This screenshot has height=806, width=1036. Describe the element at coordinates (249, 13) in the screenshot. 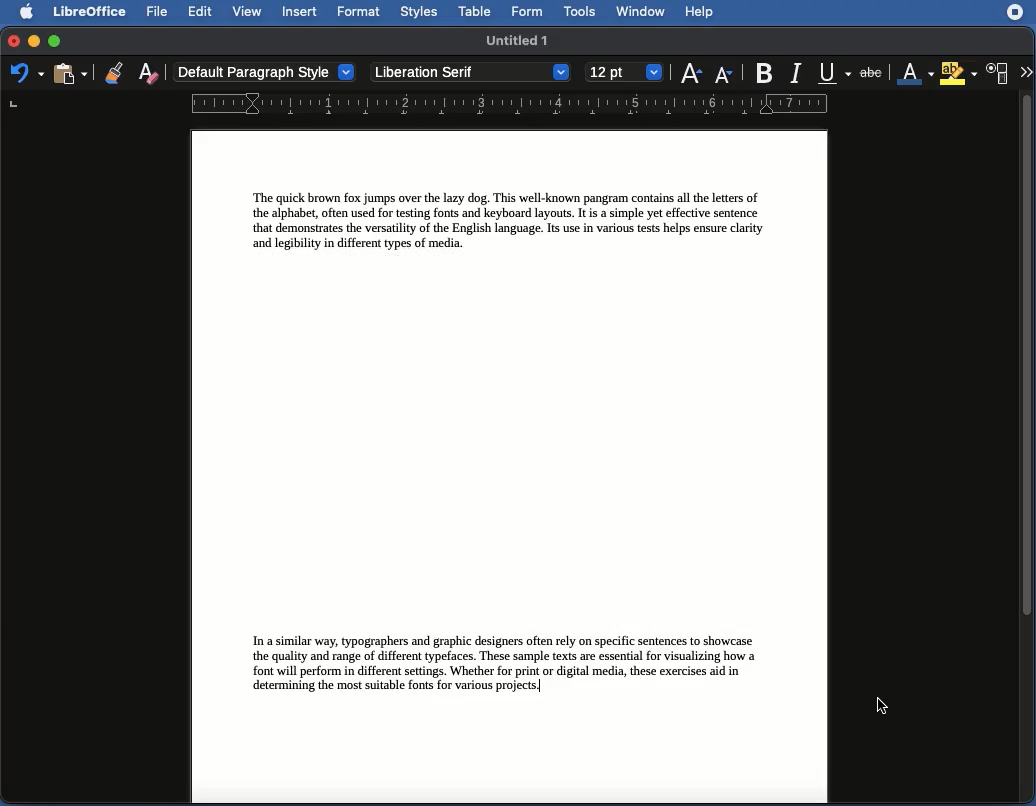

I see `View` at that location.